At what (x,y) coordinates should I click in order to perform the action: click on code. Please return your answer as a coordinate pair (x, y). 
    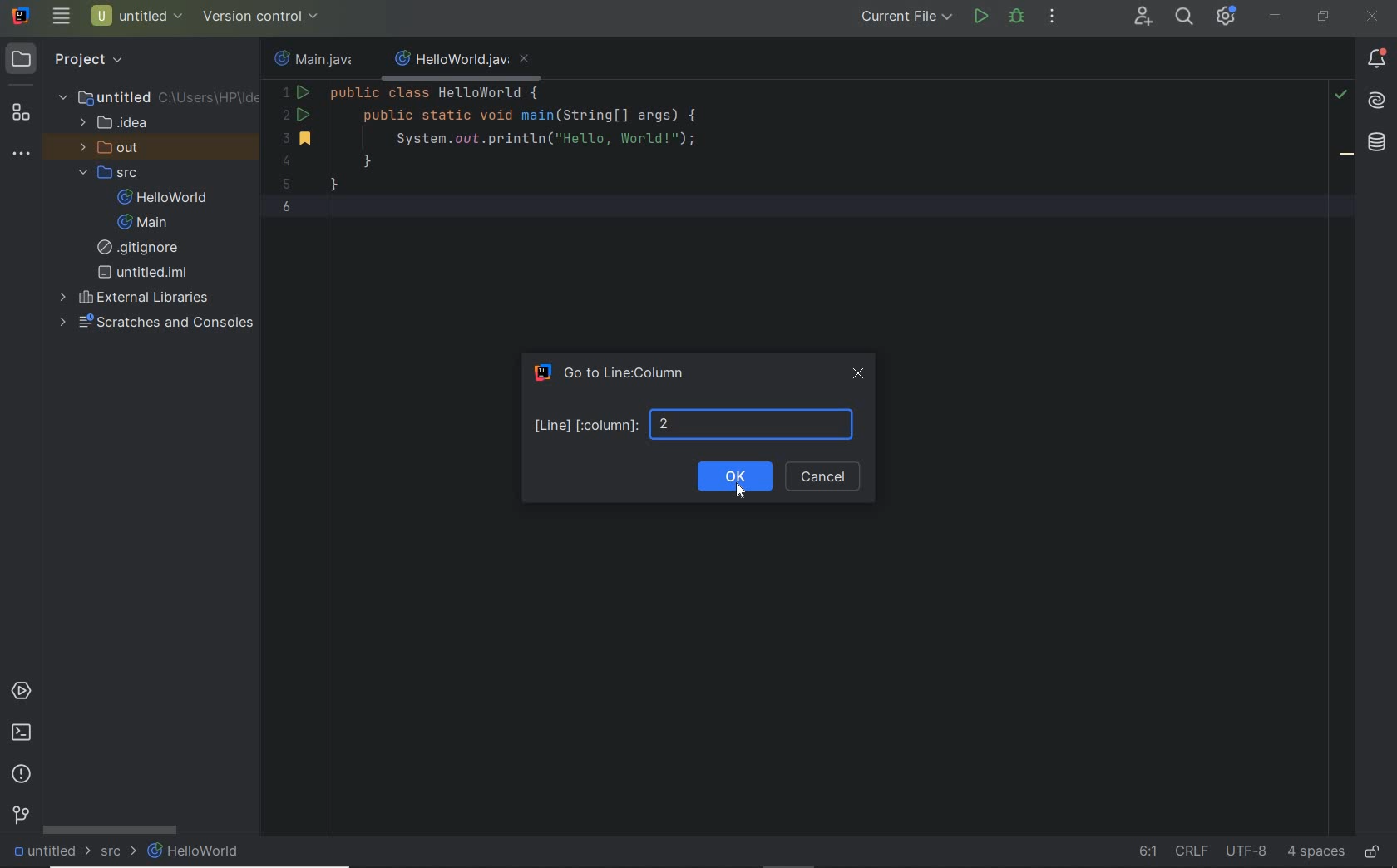
    Looking at the image, I should click on (501, 135).